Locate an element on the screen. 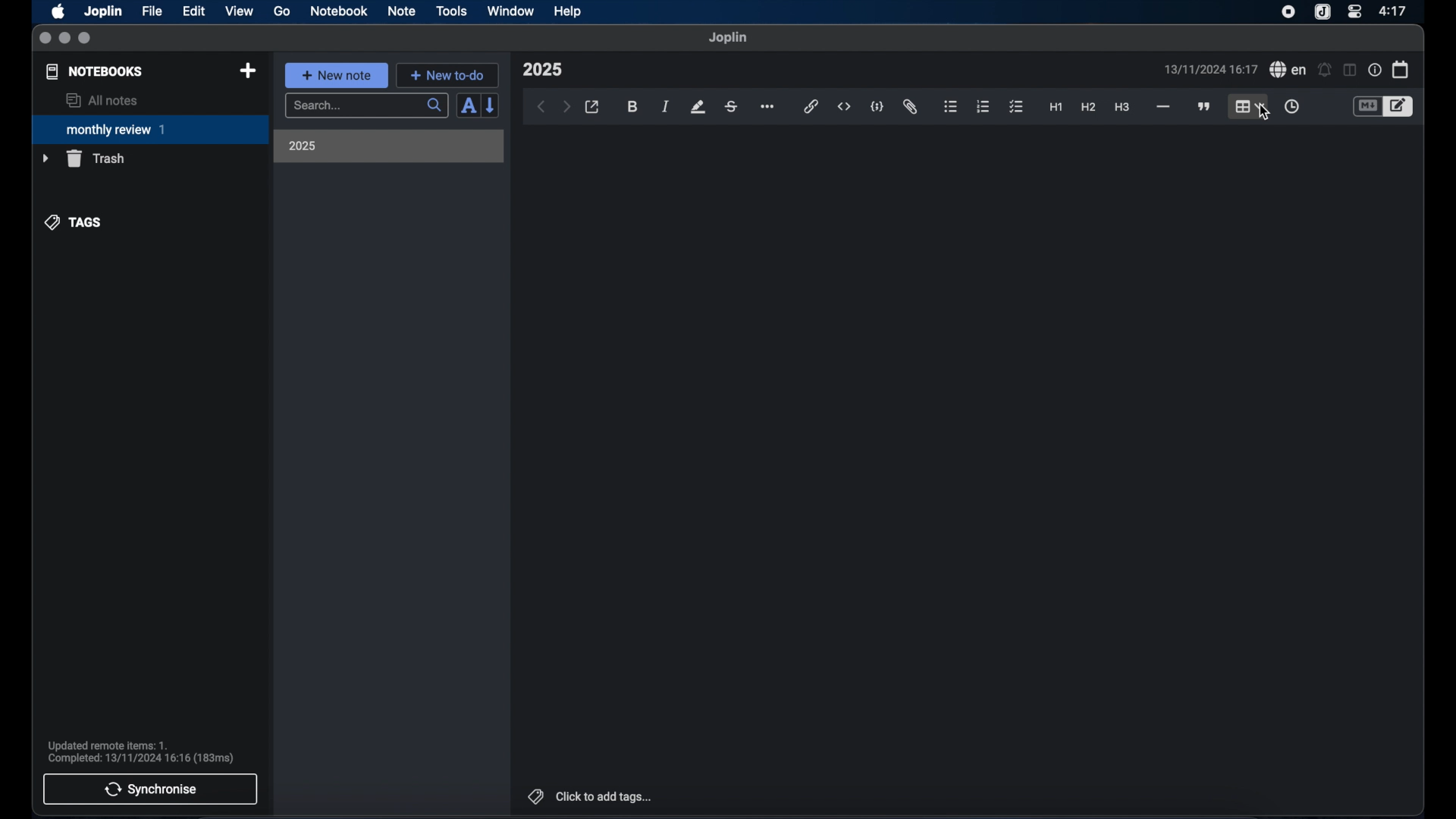 The height and width of the screenshot is (819, 1456). more options is located at coordinates (769, 108).